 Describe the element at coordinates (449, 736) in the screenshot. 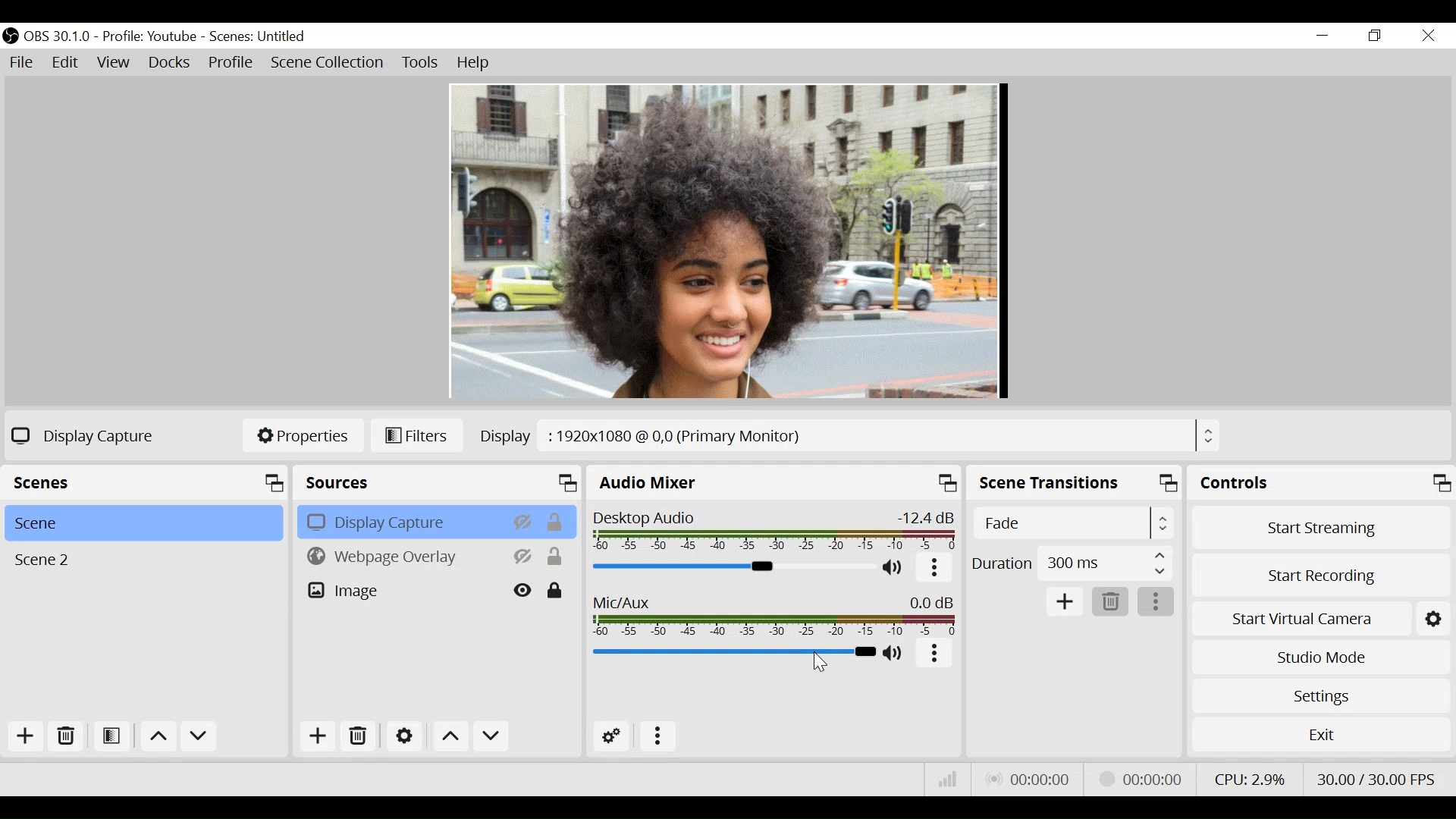

I see `Move up` at that location.